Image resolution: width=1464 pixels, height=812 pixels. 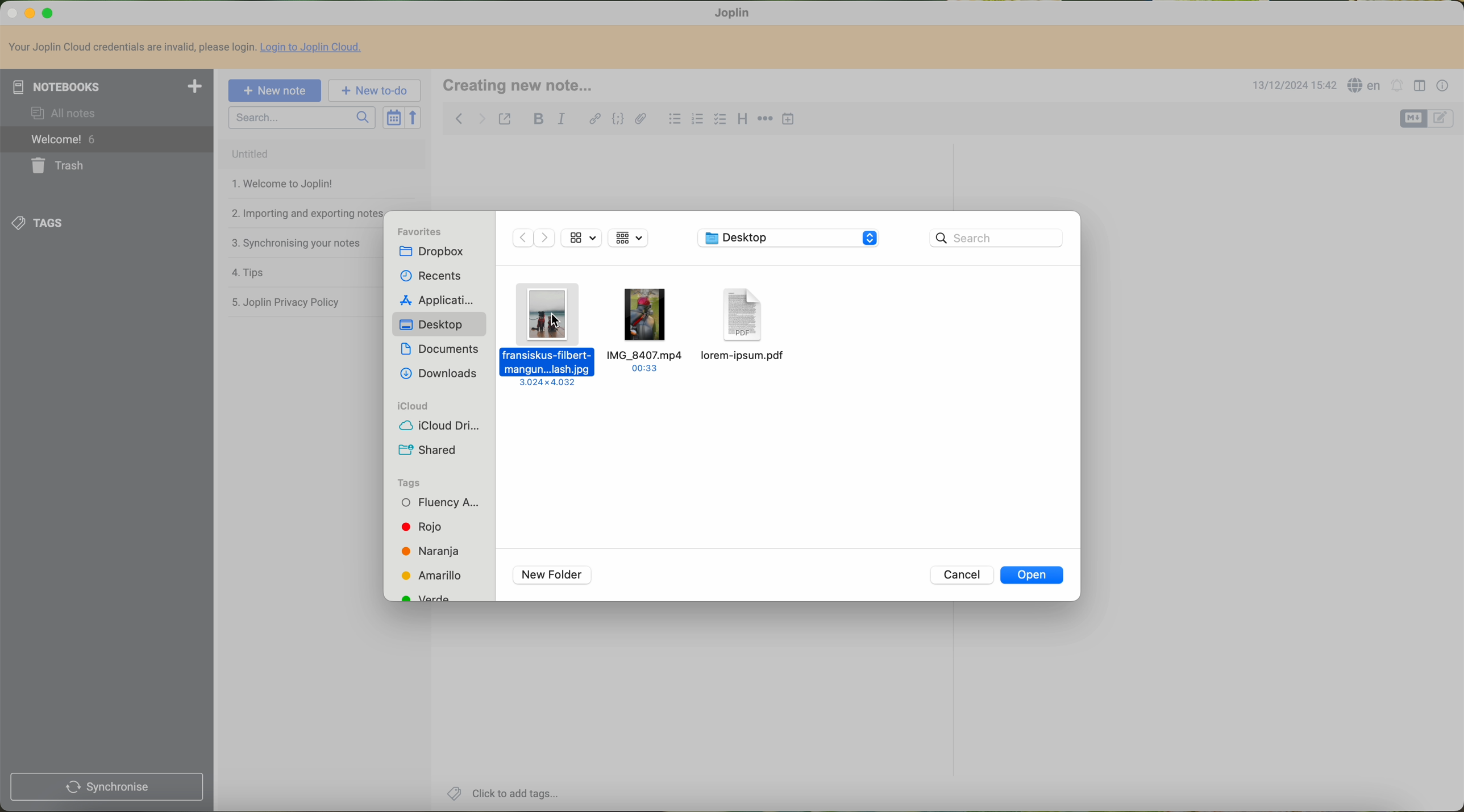 I want to click on search bar, so click(x=302, y=118).